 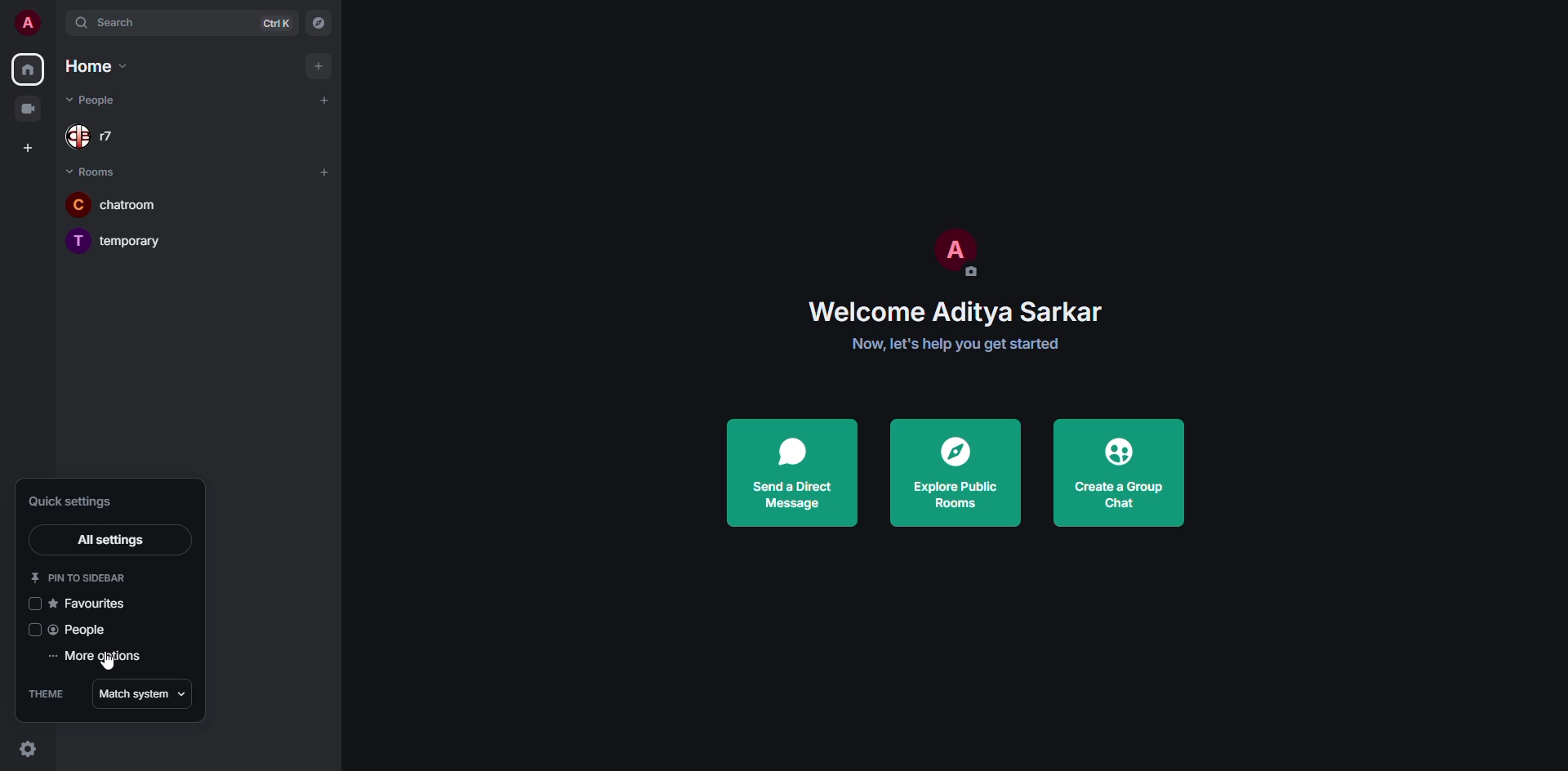 I want to click on create space, so click(x=26, y=146).